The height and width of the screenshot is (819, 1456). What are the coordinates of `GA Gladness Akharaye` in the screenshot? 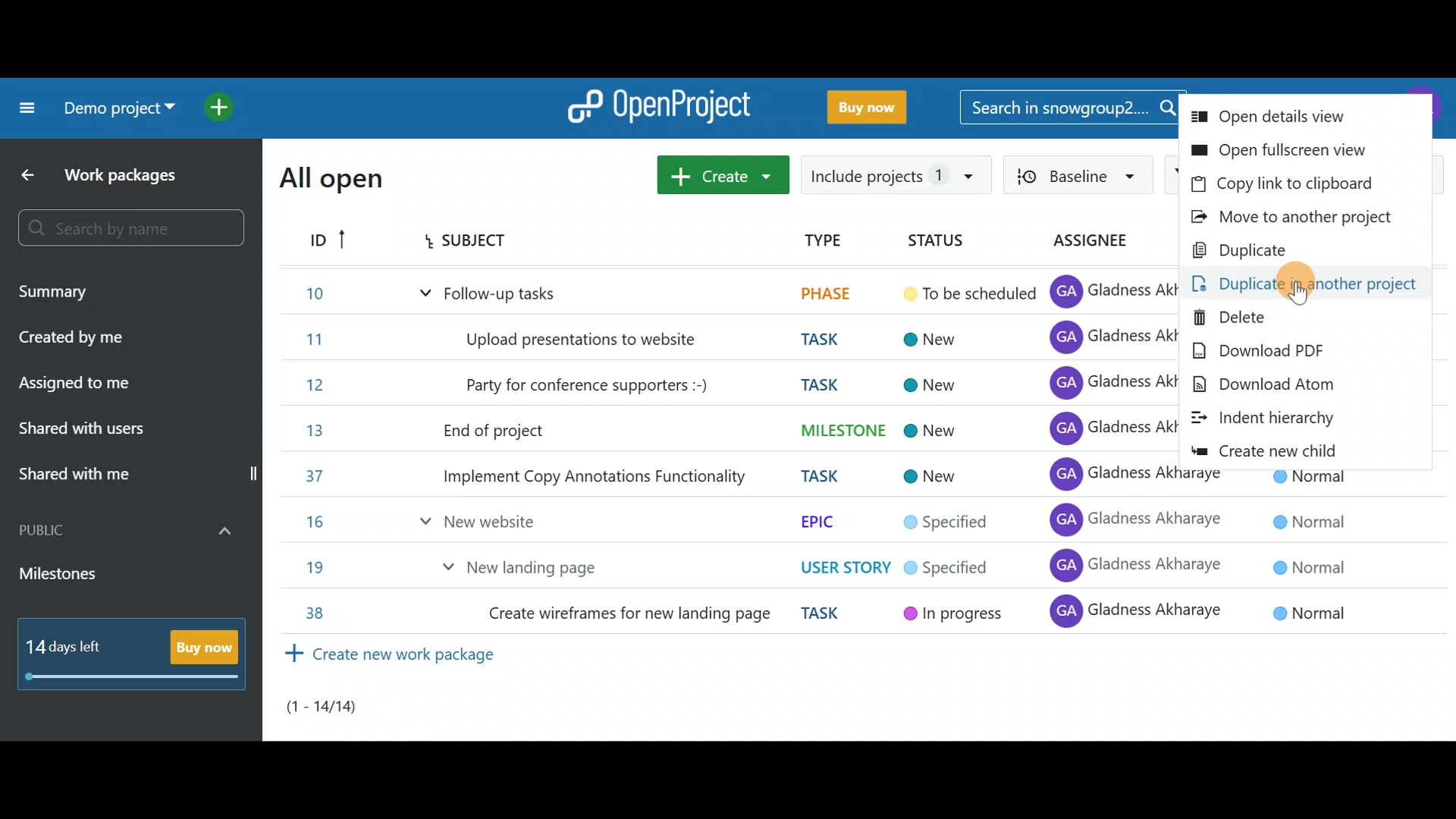 It's located at (1100, 472).